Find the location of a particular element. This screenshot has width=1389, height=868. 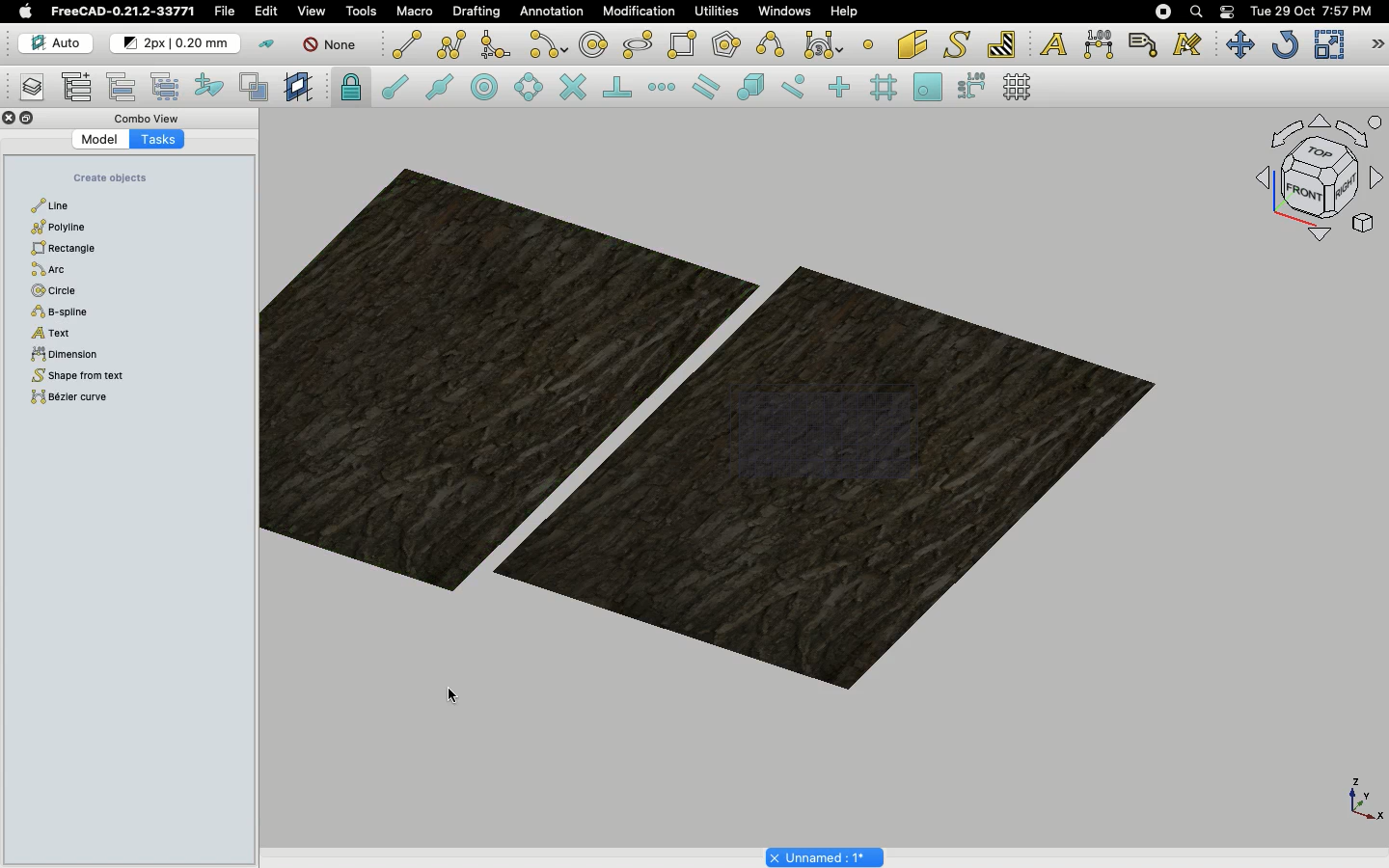

Create objects is located at coordinates (110, 178).